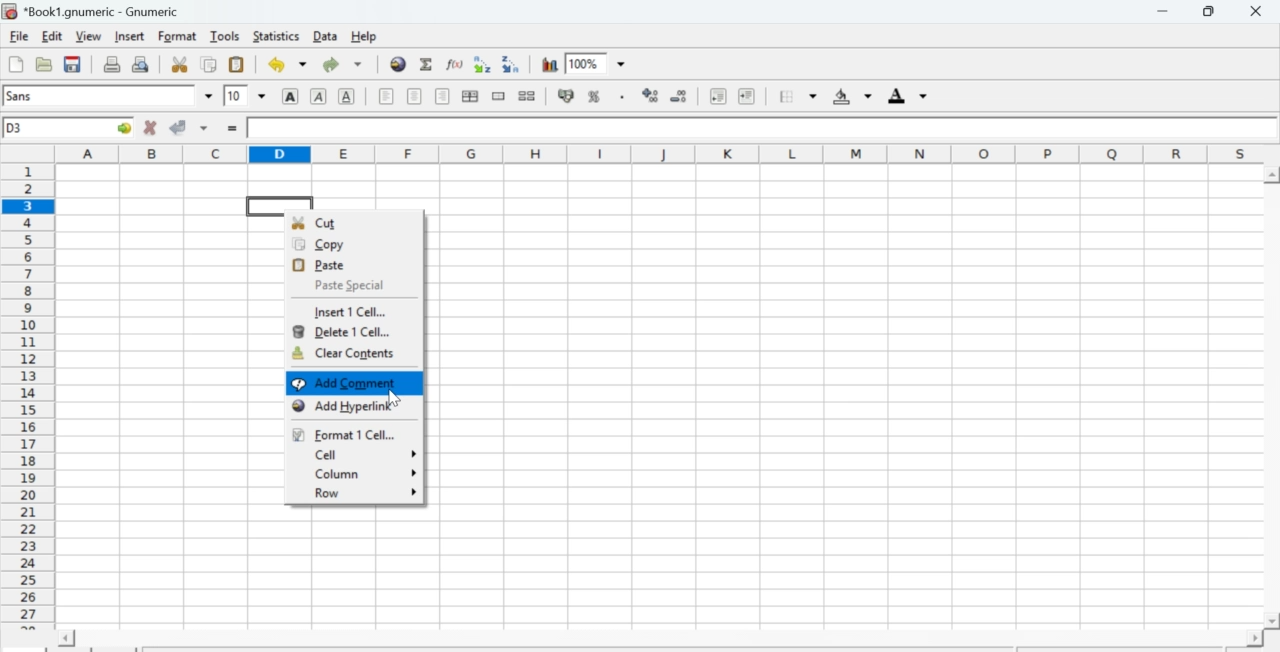 The height and width of the screenshot is (652, 1280). I want to click on Foreground, so click(908, 97).